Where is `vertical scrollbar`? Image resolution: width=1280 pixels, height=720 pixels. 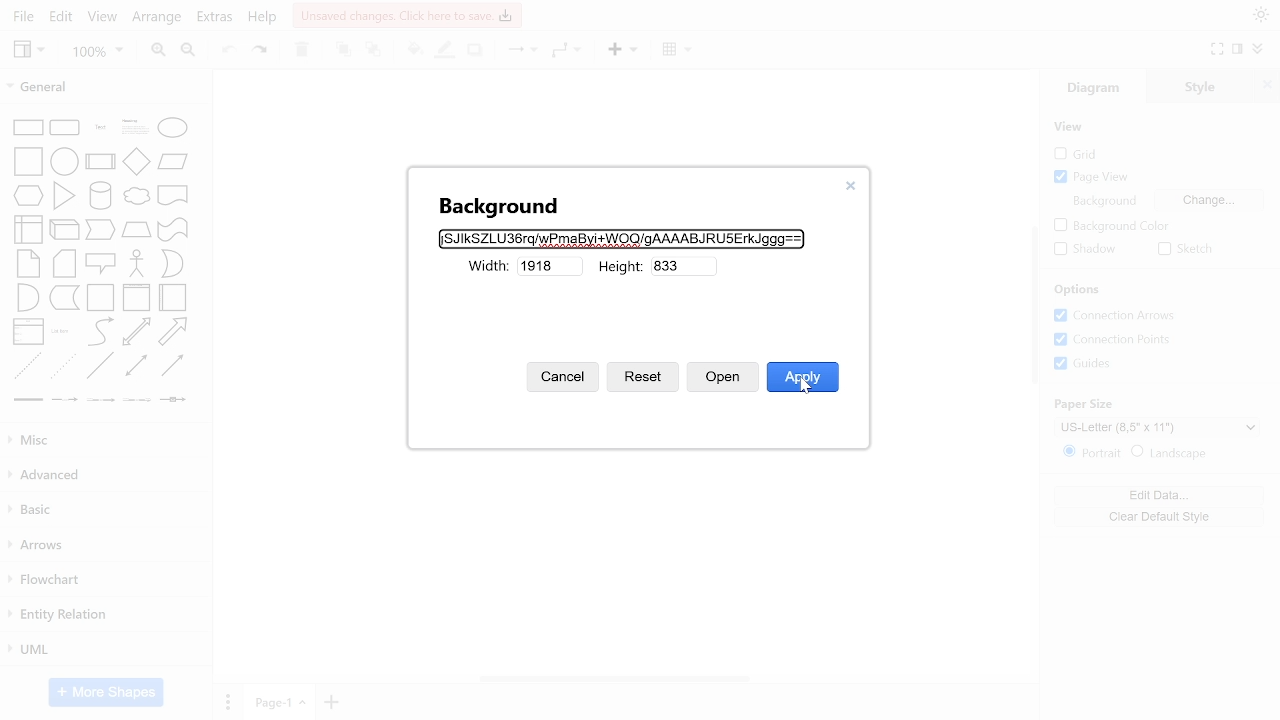
vertical scrollbar is located at coordinates (1032, 309).